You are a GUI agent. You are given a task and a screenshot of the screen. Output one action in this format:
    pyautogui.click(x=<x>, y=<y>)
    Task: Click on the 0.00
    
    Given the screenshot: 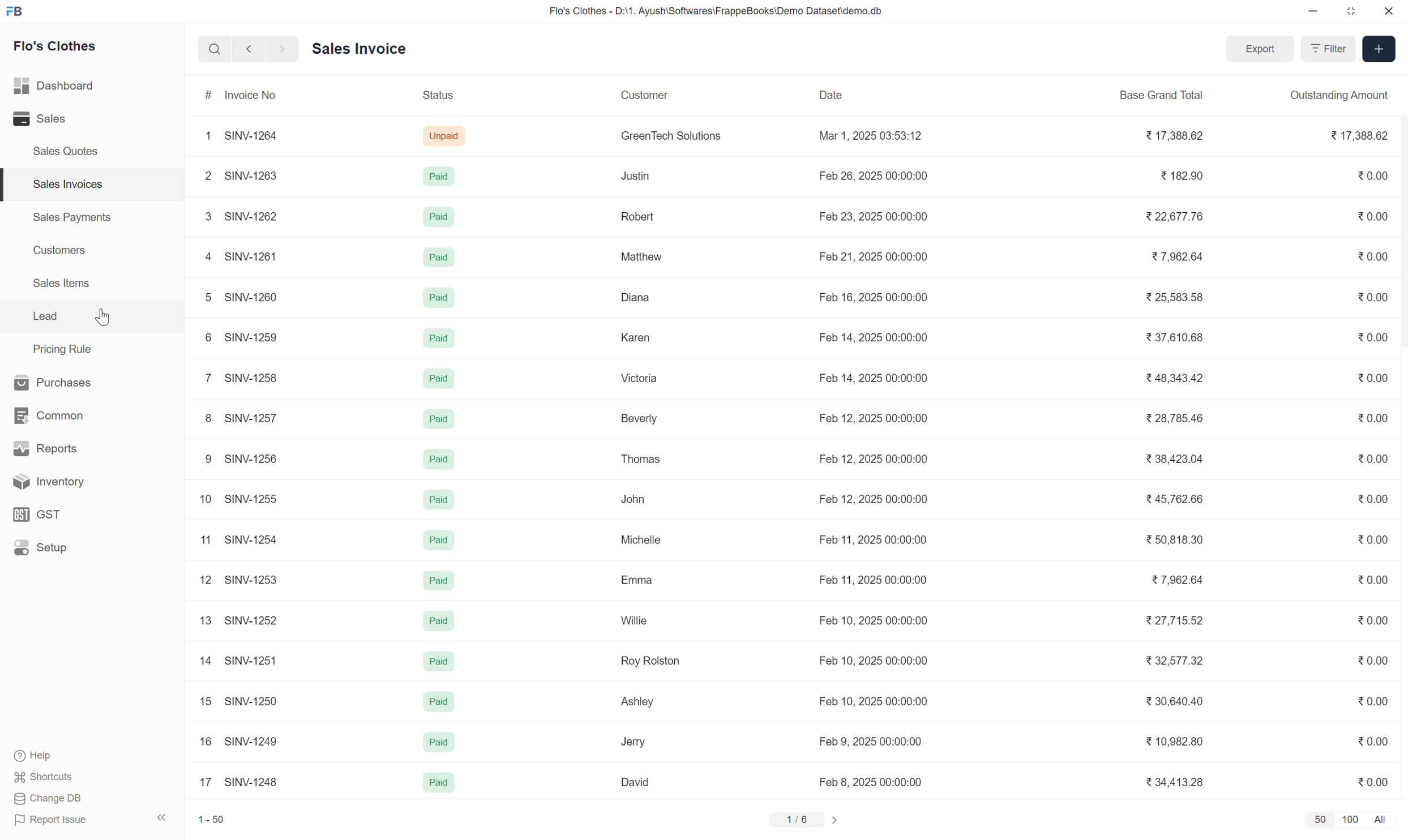 What is the action you would take?
    pyautogui.click(x=1369, y=295)
    